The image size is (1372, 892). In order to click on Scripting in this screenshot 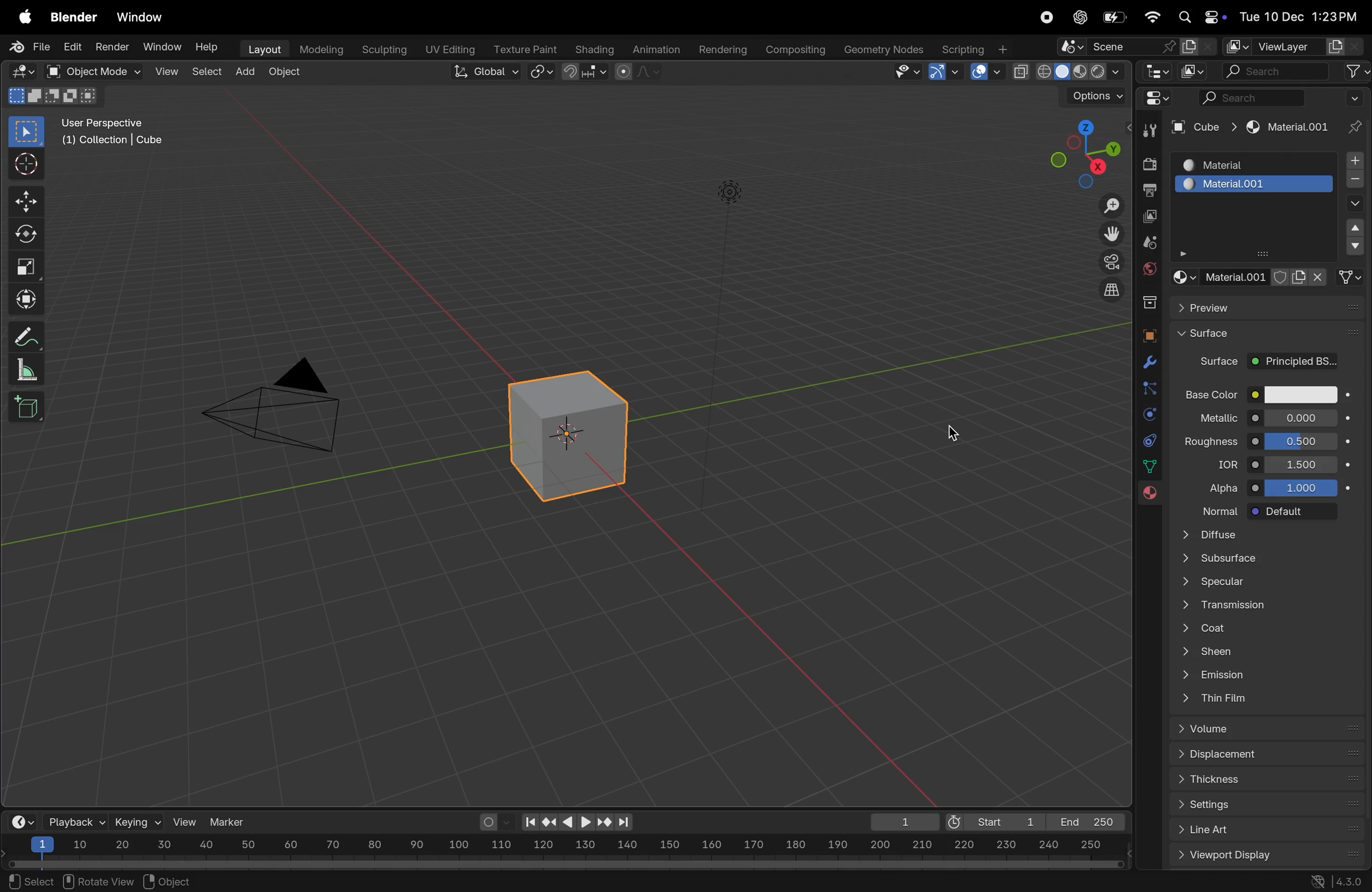, I will do `click(974, 46)`.